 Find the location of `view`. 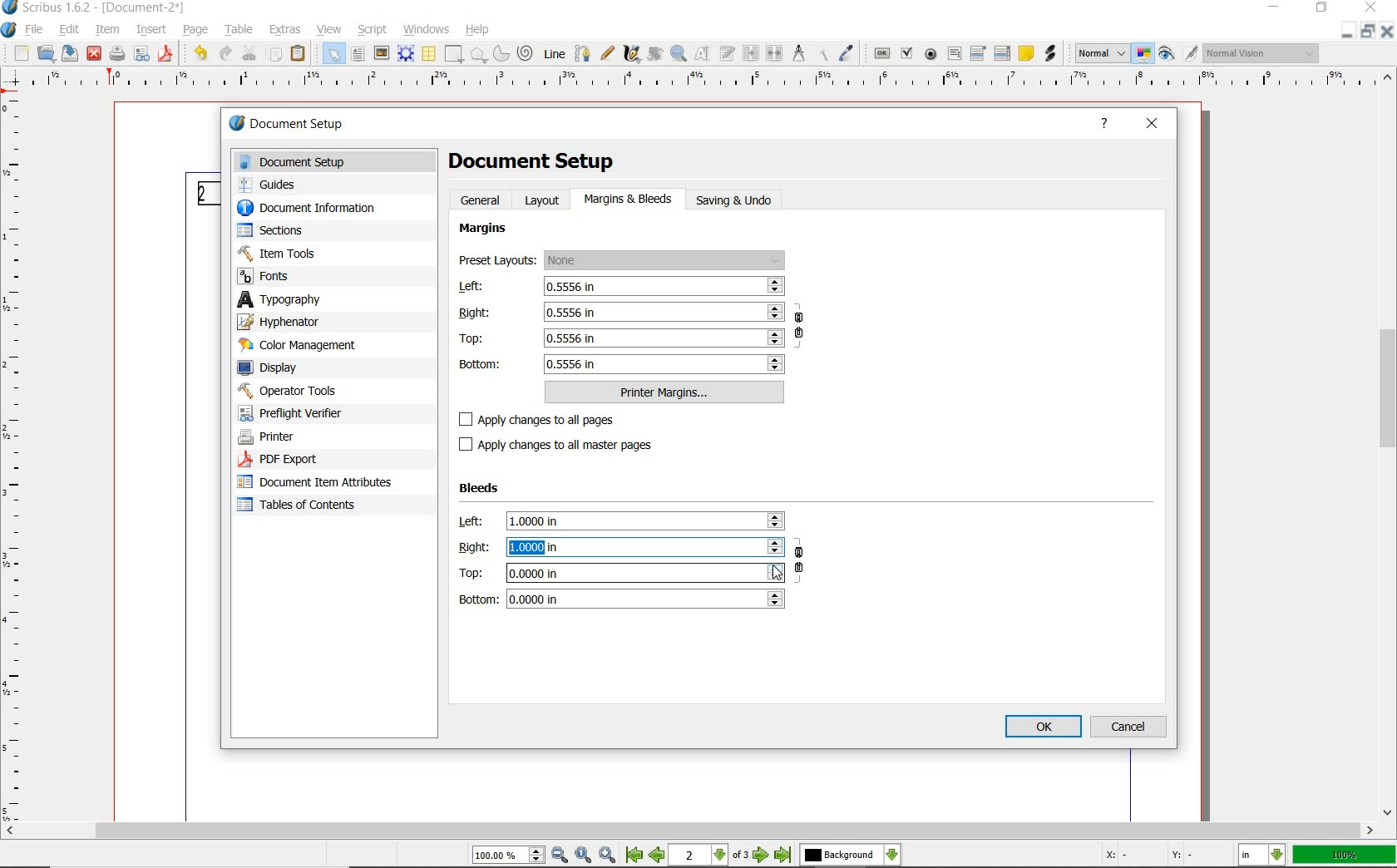

view is located at coordinates (328, 29).